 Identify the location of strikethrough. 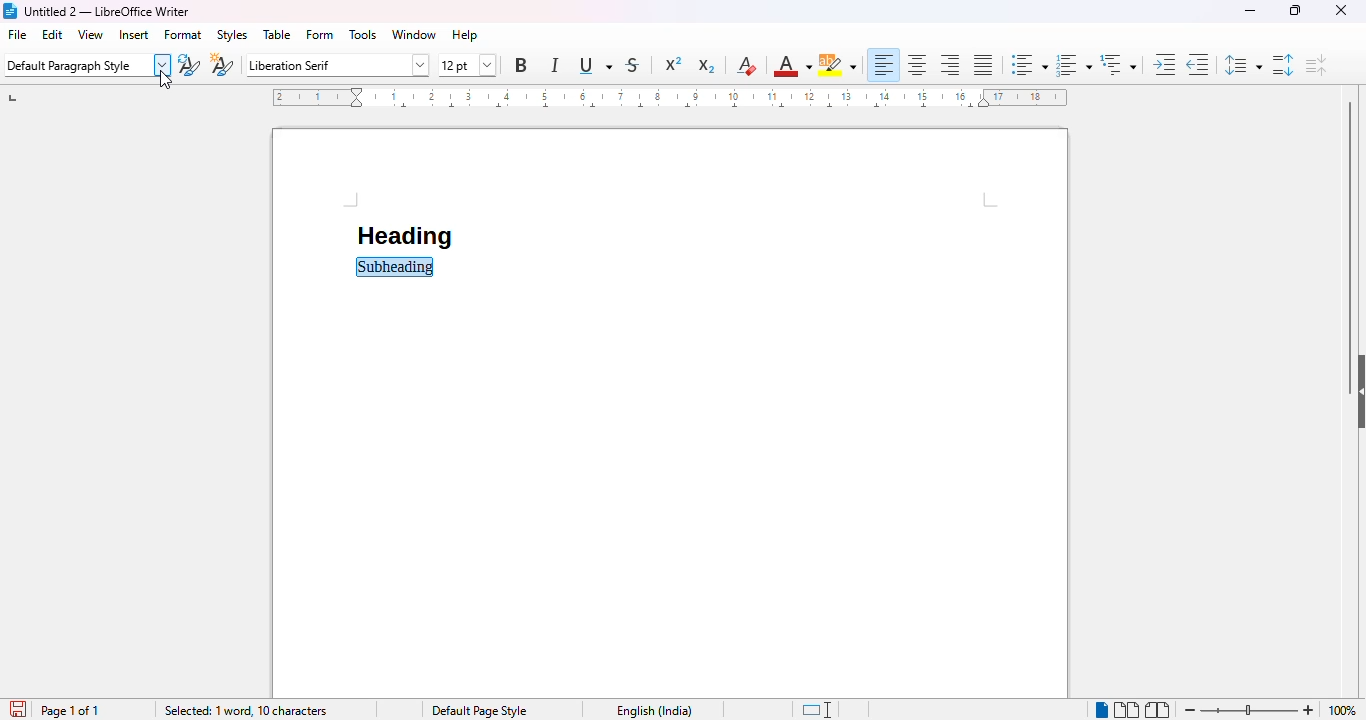
(633, 66).